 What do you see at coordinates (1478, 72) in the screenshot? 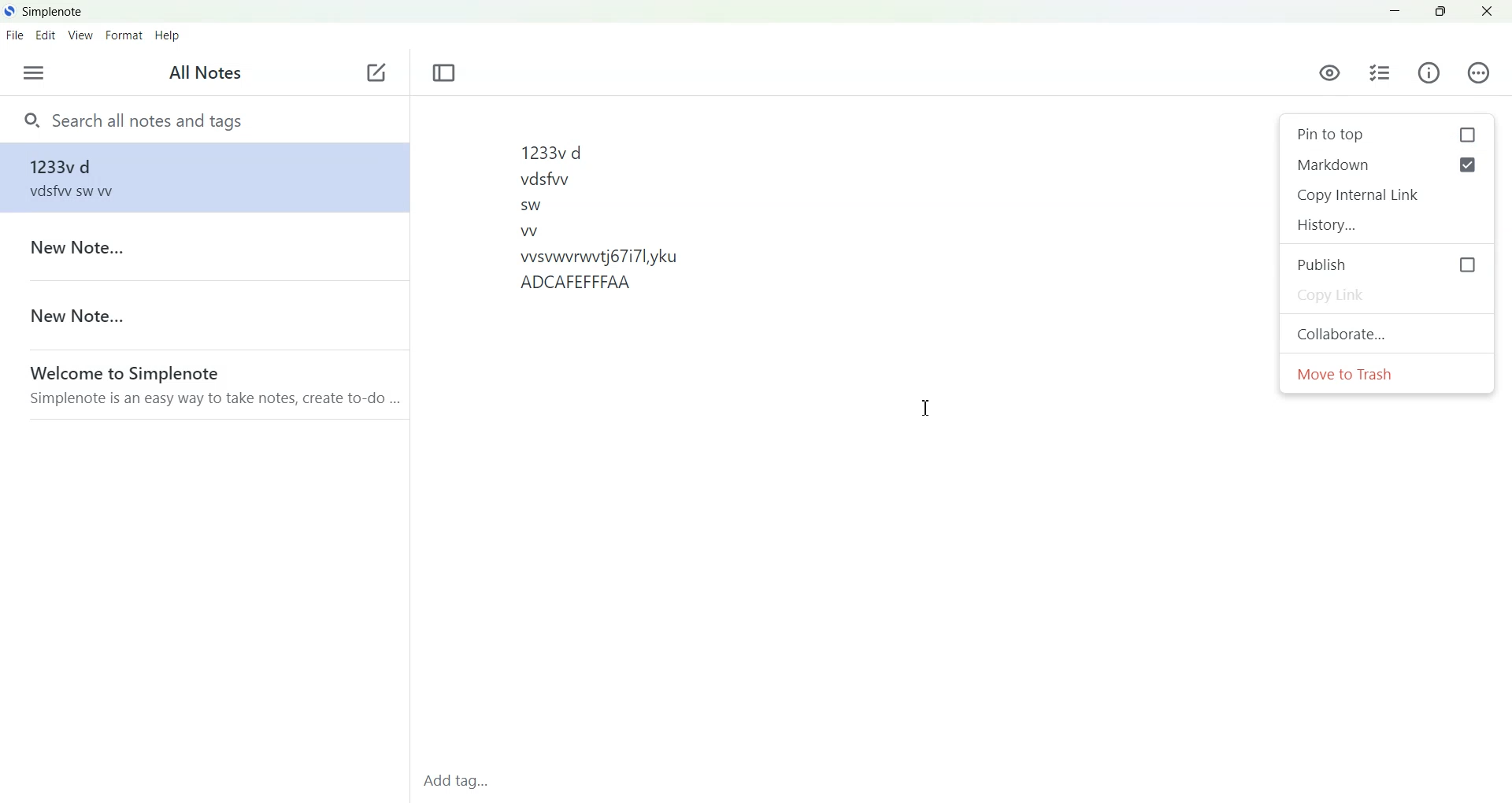
I see `Action` at bounding box center [1478, 72].